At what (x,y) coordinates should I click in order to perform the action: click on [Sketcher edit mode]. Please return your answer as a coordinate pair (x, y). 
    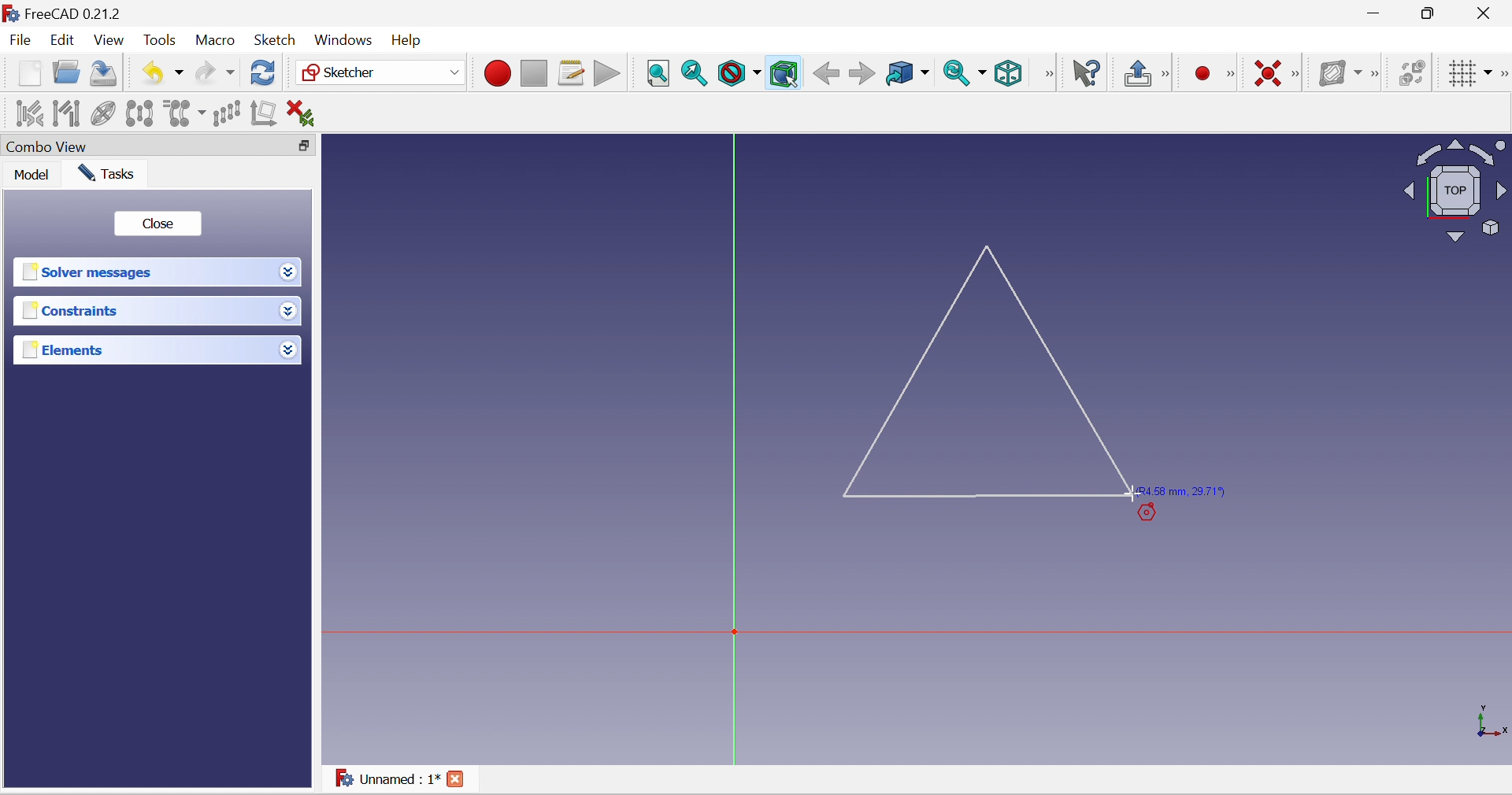
    Looking at the image, I should click on (1171, 75).